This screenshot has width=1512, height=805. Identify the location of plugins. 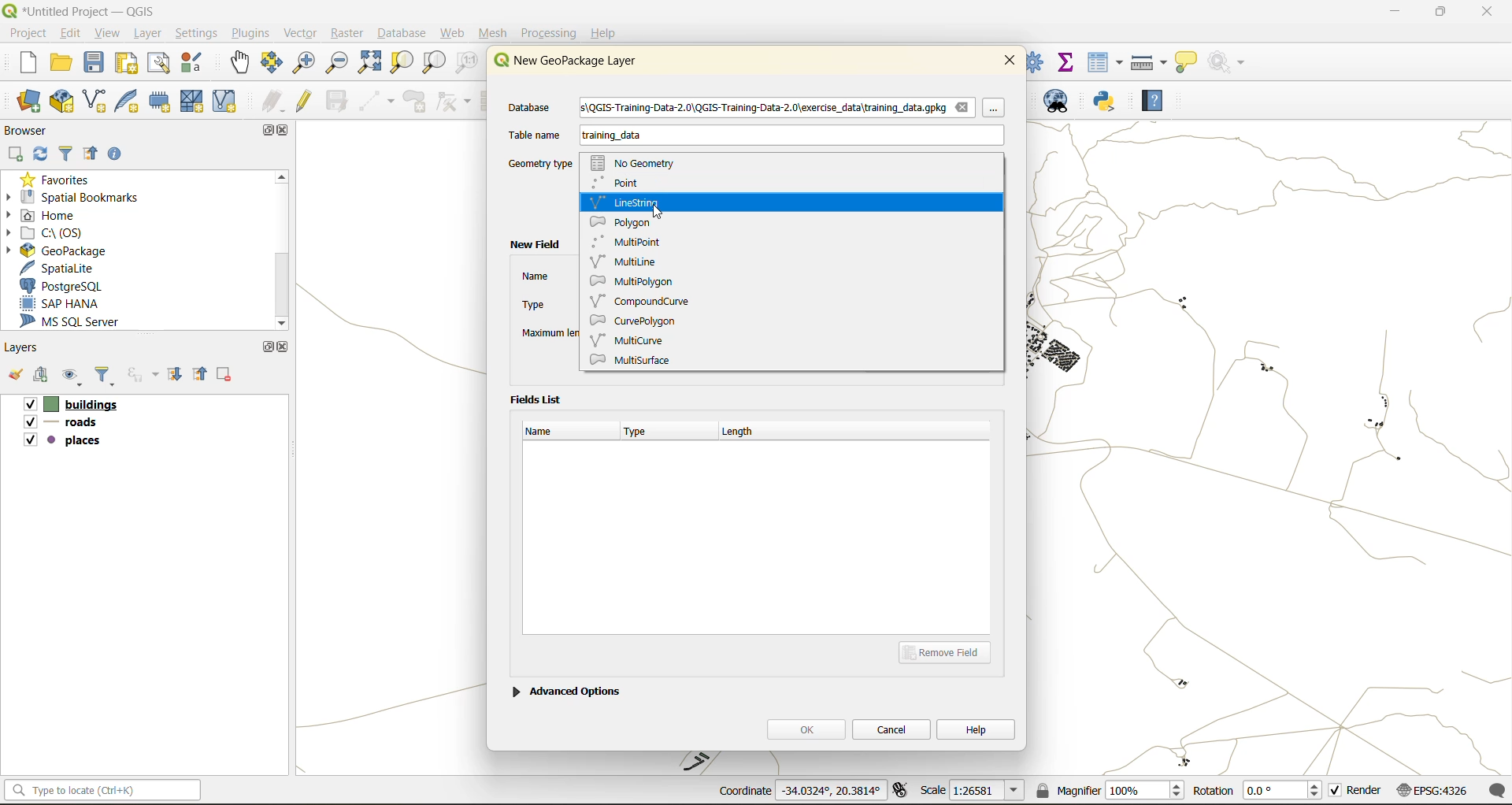
(250, 33).